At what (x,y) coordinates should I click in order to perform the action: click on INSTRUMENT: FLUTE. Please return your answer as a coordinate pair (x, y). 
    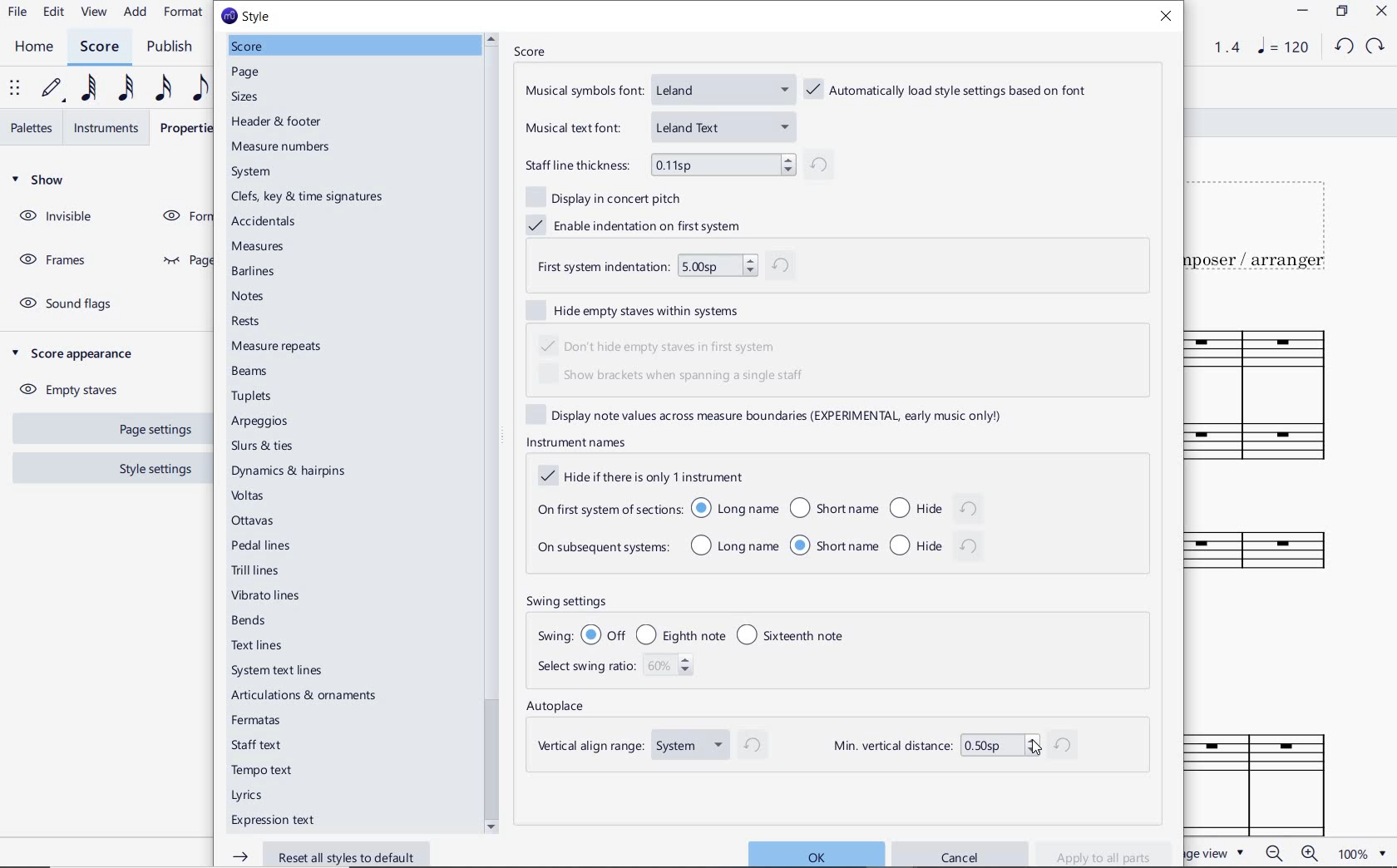
    Looking at the image, I should click on (1266, 560).